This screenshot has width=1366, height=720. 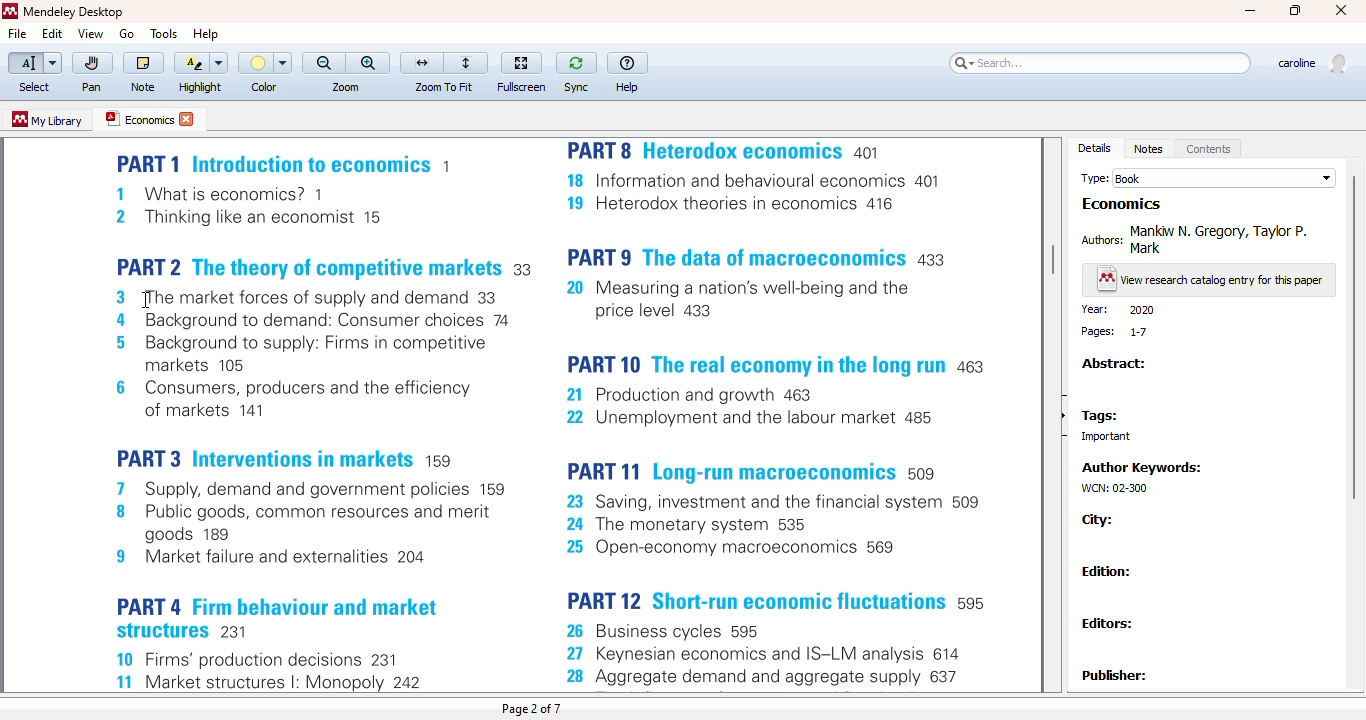 What do you see at coordinates (1145, 467) in the screenshot?
I see `author keywords: ` at bounding box center [1145, 467].